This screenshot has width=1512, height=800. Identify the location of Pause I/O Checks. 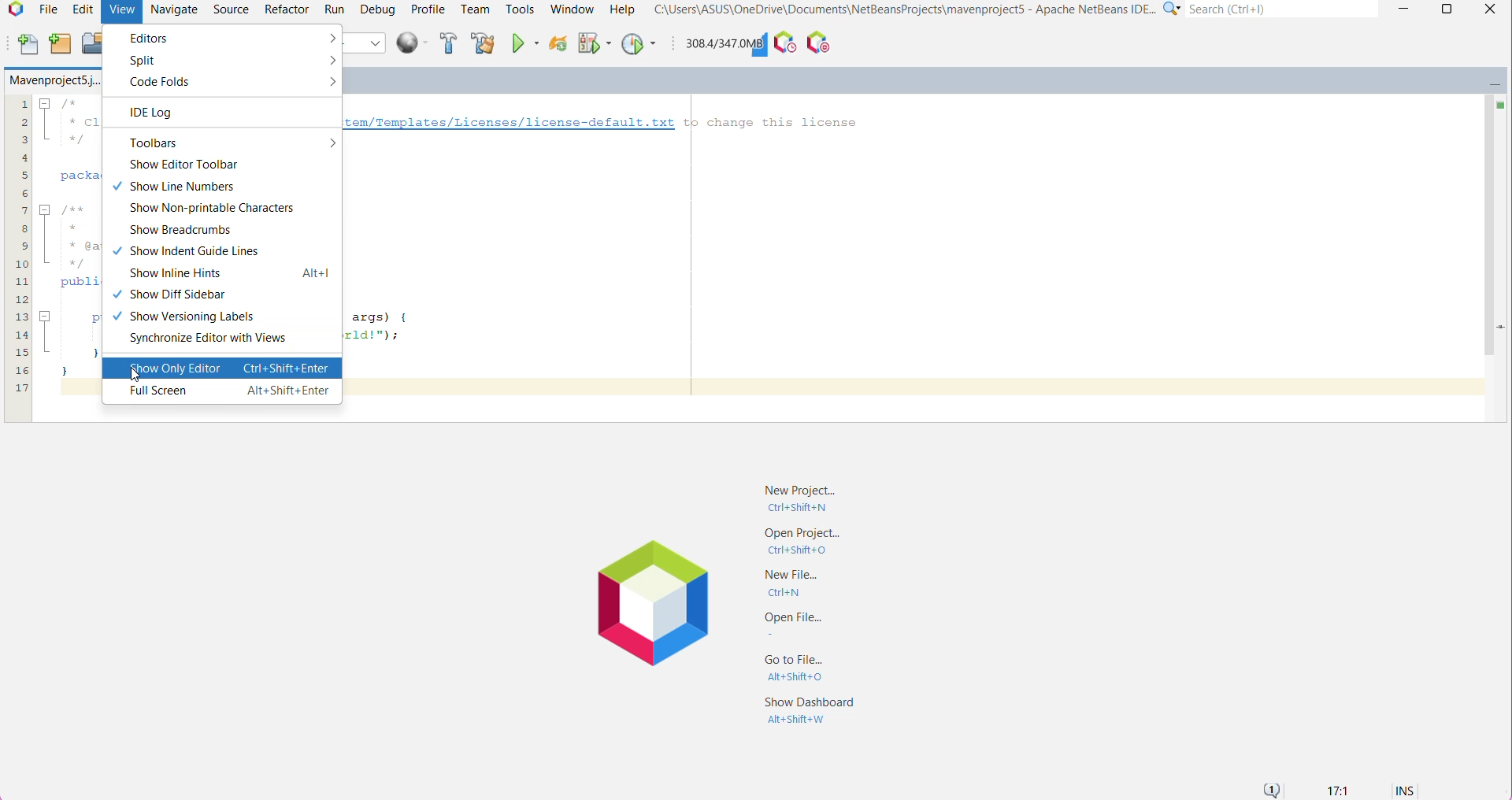
(819, 44).